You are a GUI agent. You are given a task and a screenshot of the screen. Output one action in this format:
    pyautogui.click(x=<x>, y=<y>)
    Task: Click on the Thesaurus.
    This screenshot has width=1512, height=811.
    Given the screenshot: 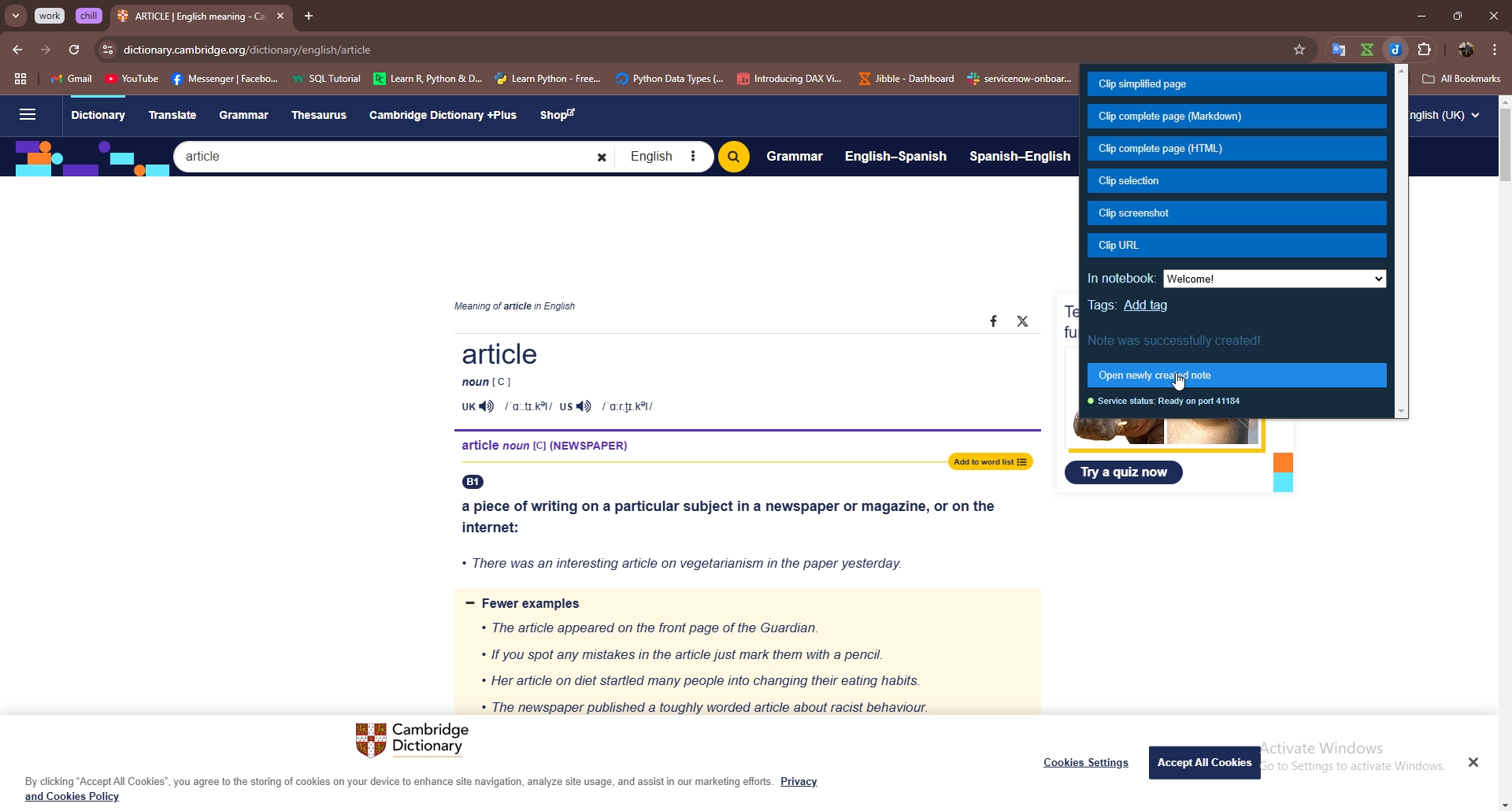 What is the action you would take?
    pyautogui.click(x=324, y=116)
    